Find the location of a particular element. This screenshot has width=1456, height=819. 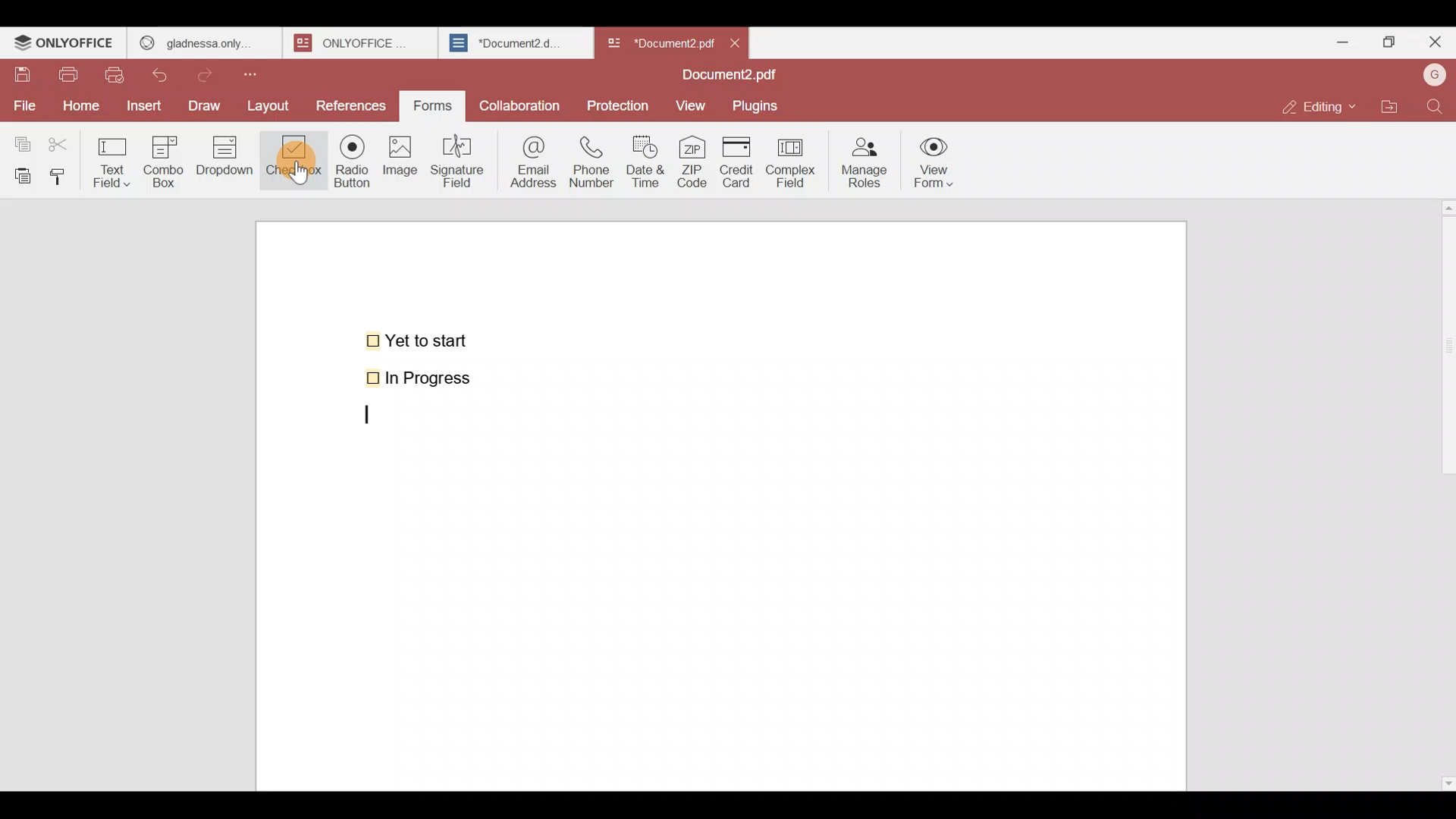

Close is located at coordinates (1434, 45).